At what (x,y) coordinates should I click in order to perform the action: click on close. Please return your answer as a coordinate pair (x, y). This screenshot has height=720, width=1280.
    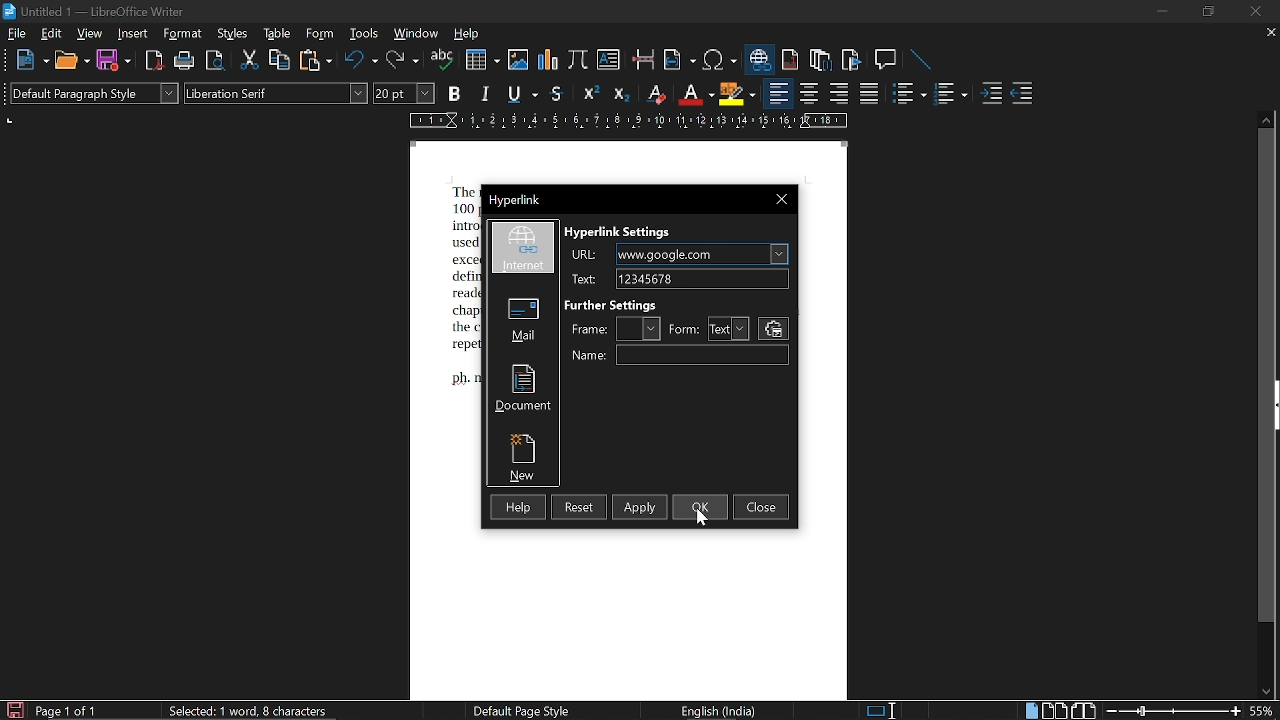
    Looking at the image, I should click on (761, 507).